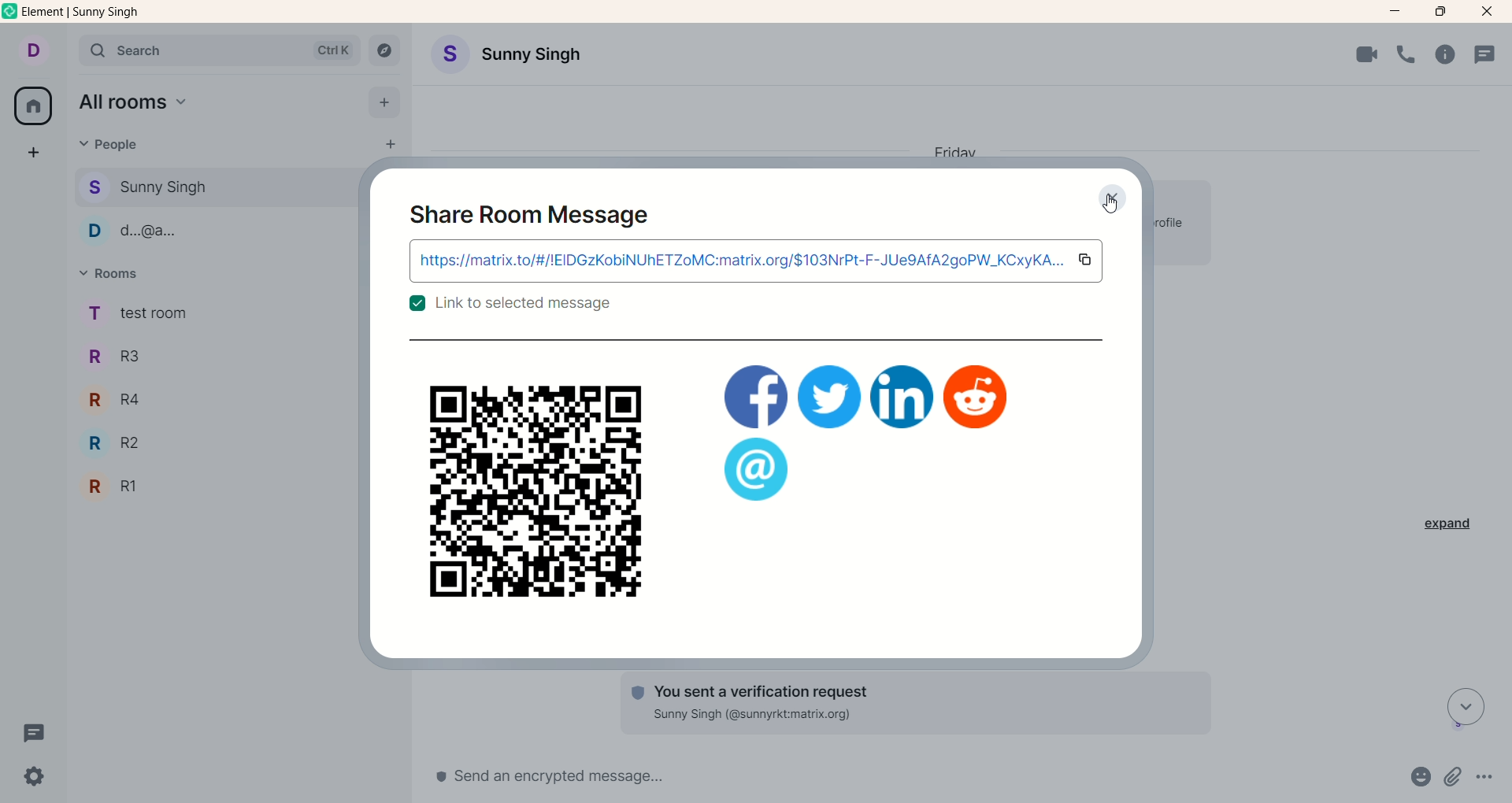 This screenshot has height=803, width=1512. I want to click on send message, so click(636, 780).